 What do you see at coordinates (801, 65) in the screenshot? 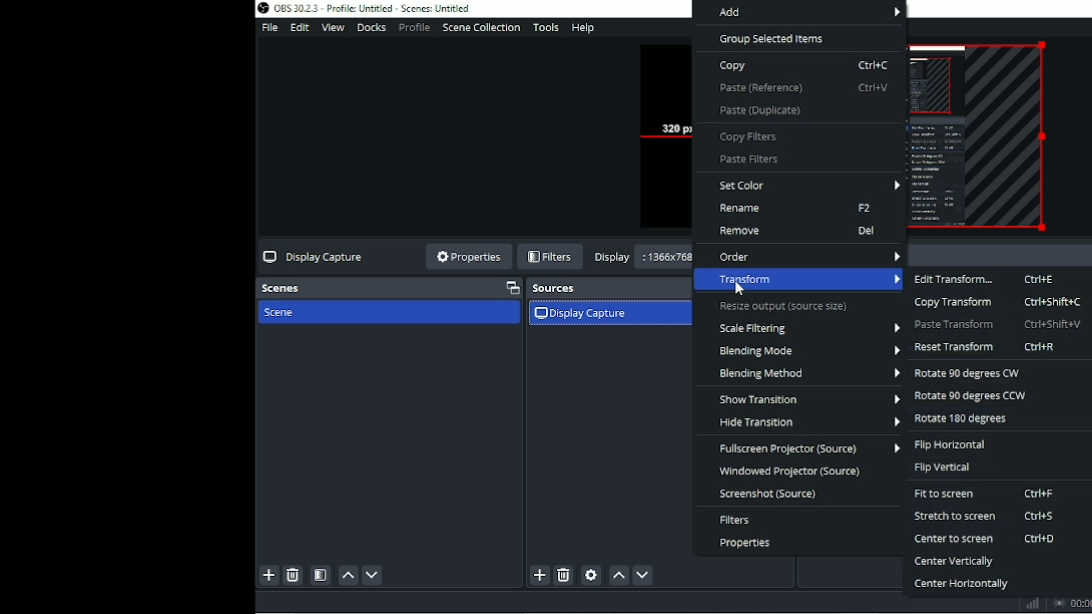
I see `Copy` at bounding box center [801, 65].